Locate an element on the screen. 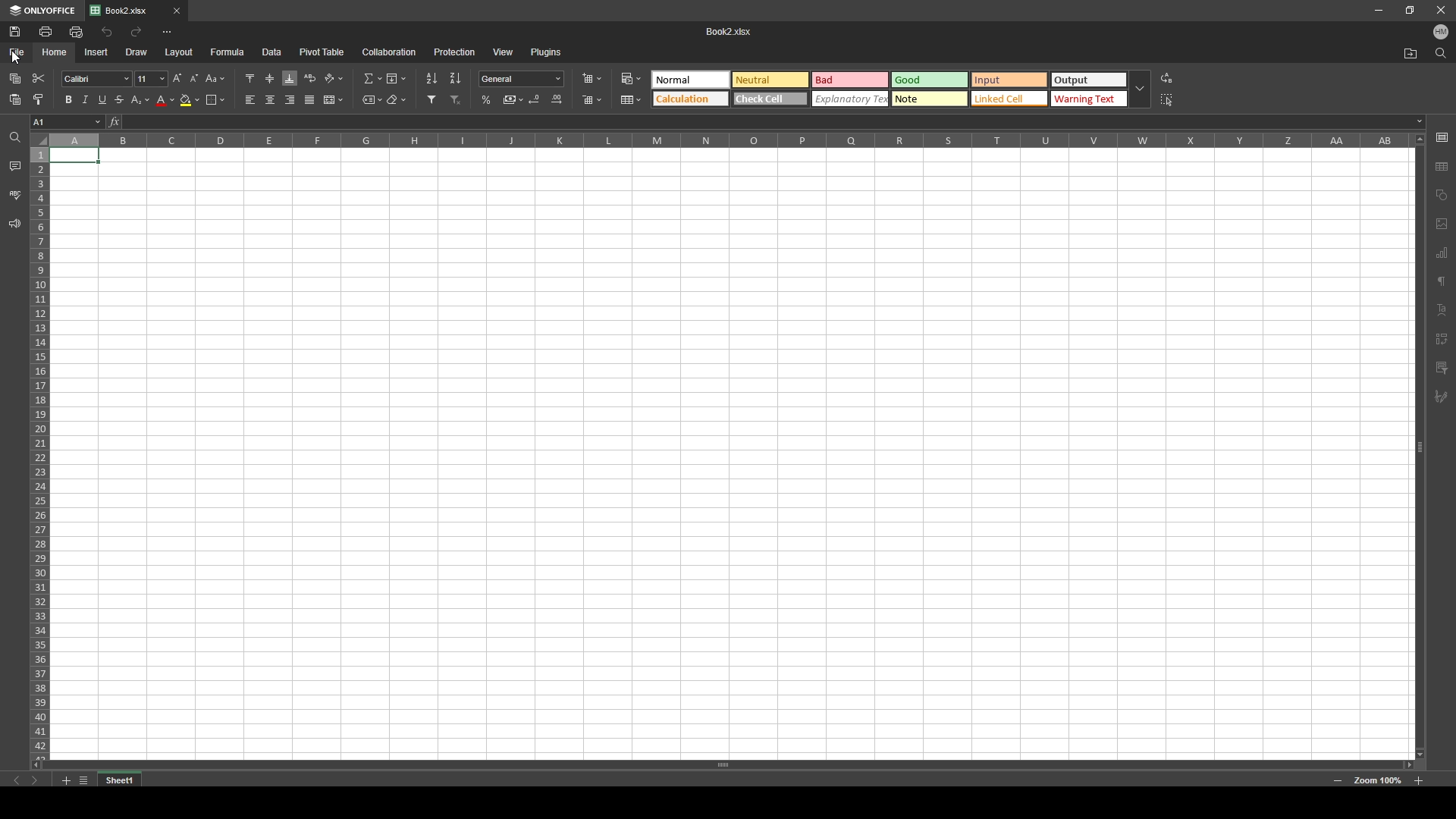  redo is located at coordinates (137, 31).